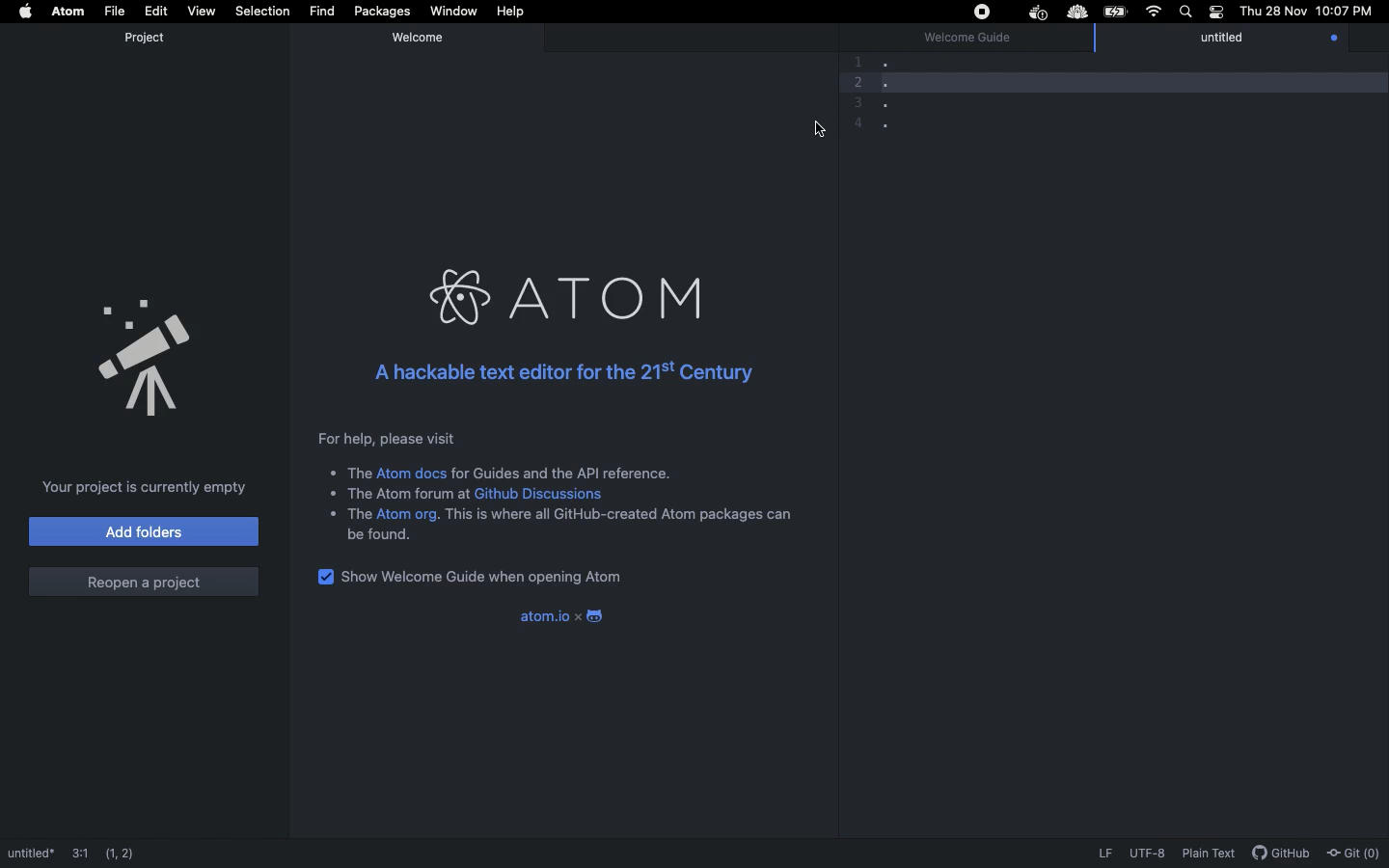  What do you see at coordinates (853, 92) in the screenshot?
I see `line numbers` at bounding box center [853, 92].